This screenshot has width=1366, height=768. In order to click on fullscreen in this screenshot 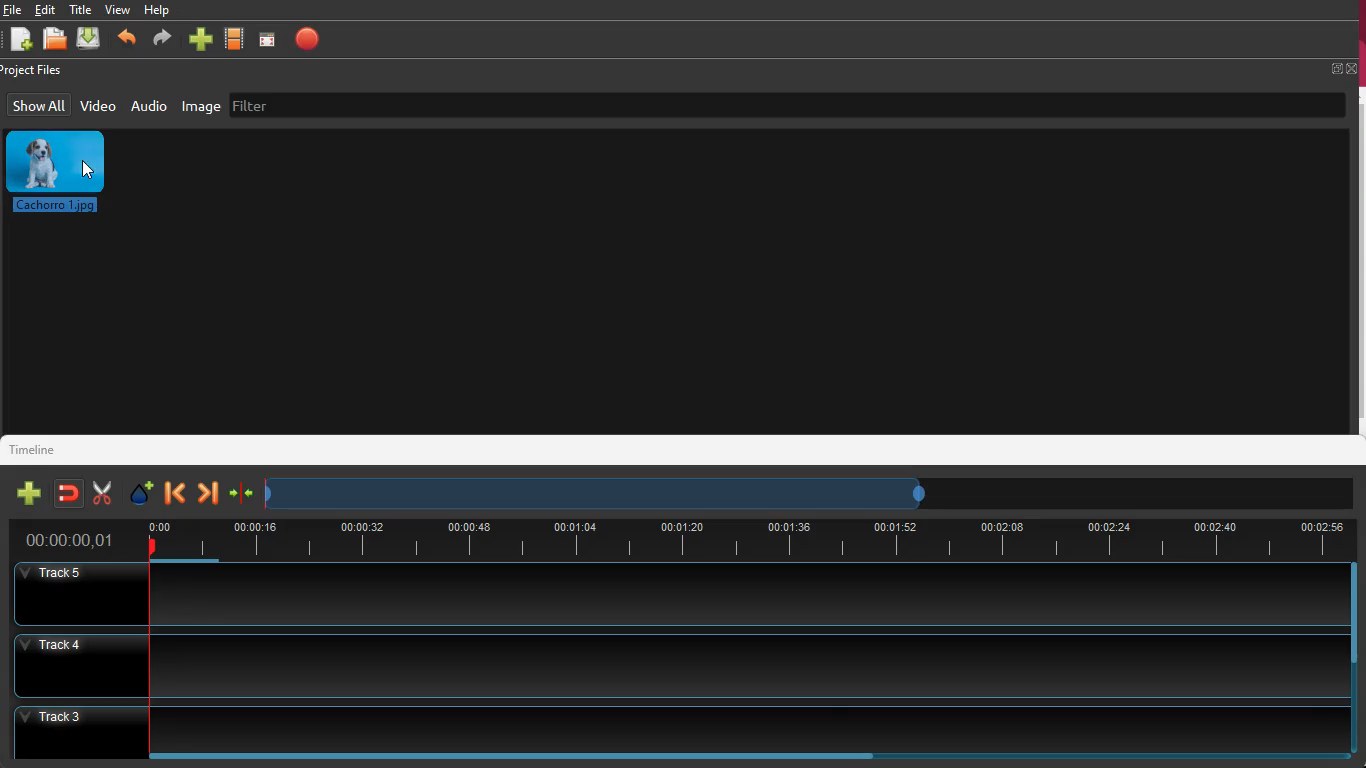, I will do `click(1342, 66)`.